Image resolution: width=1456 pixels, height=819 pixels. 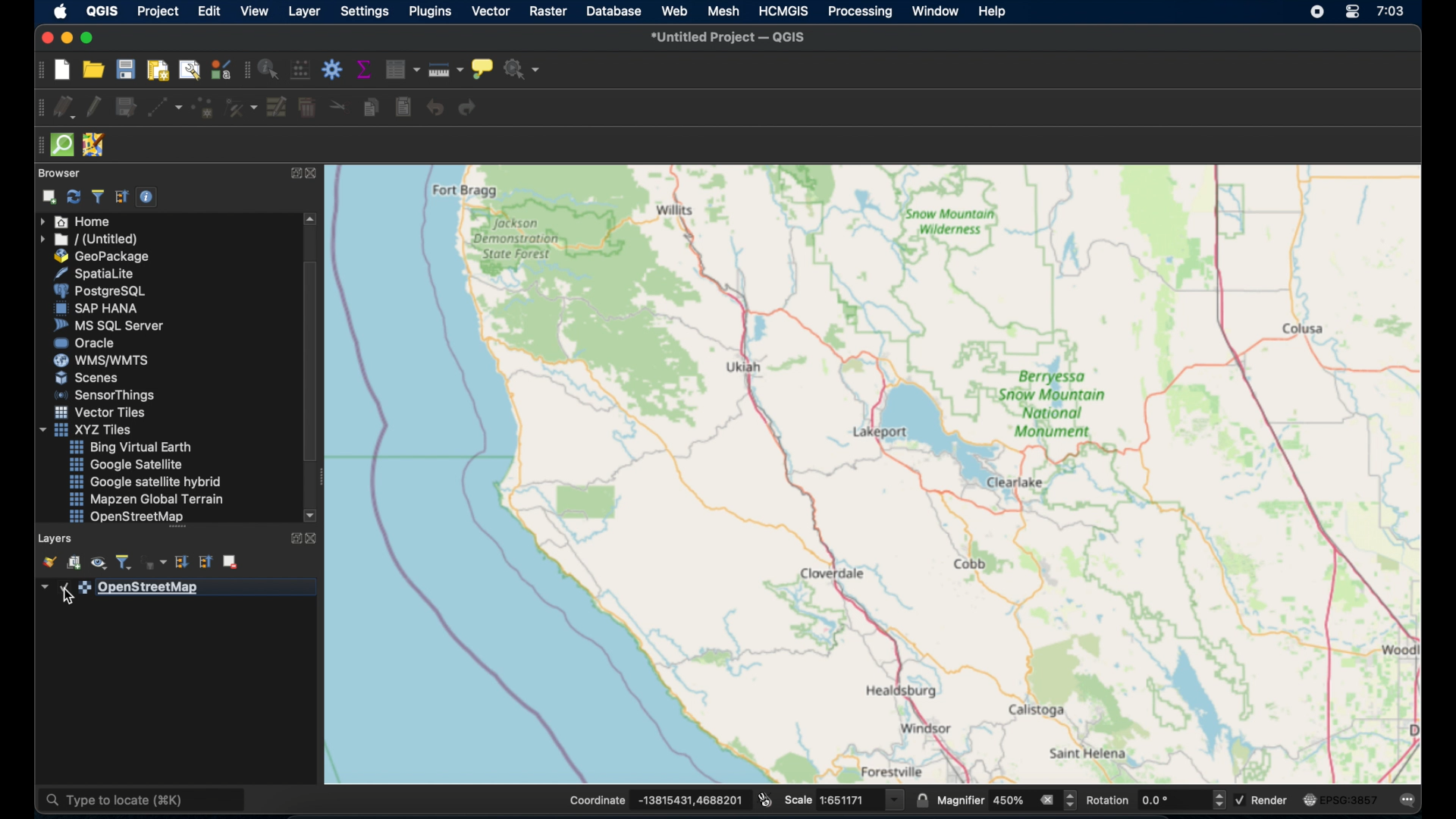 I want to click on type to locate, so click(x=143, y=796).